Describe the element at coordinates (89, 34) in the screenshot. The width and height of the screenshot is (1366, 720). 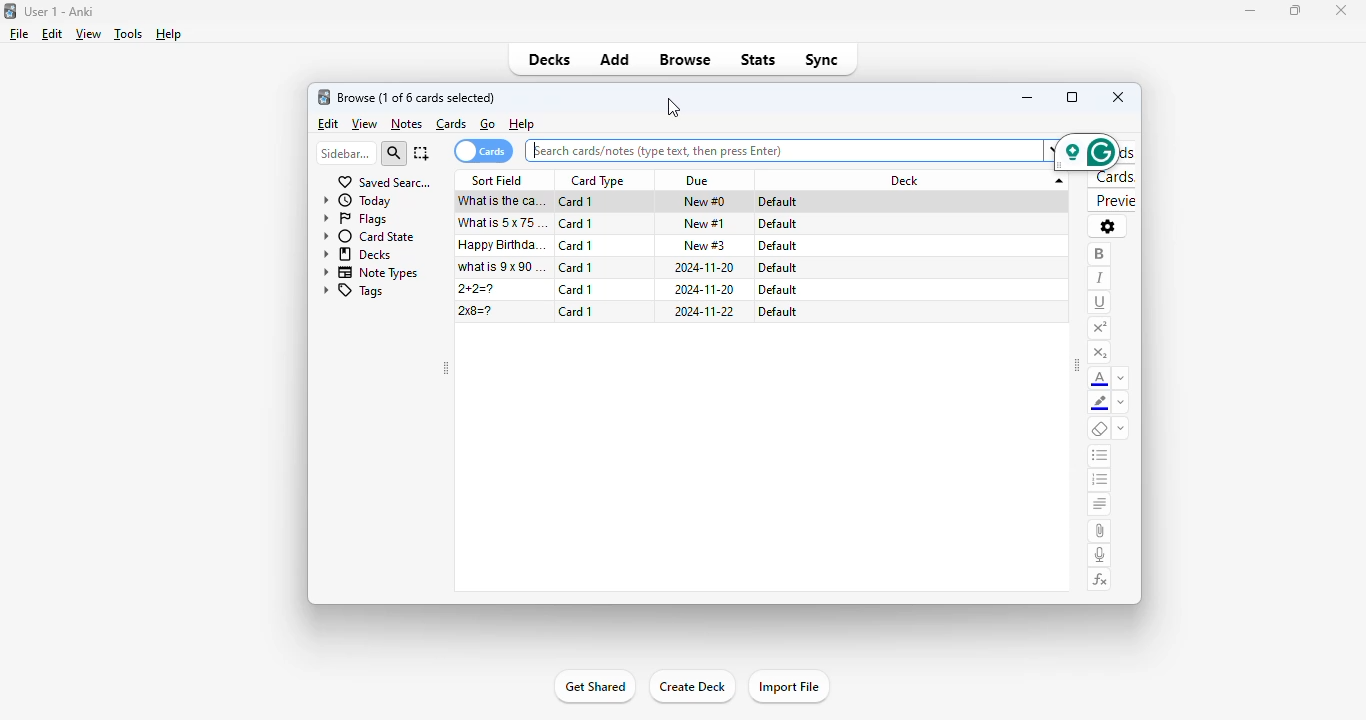
I see `view` at that location.